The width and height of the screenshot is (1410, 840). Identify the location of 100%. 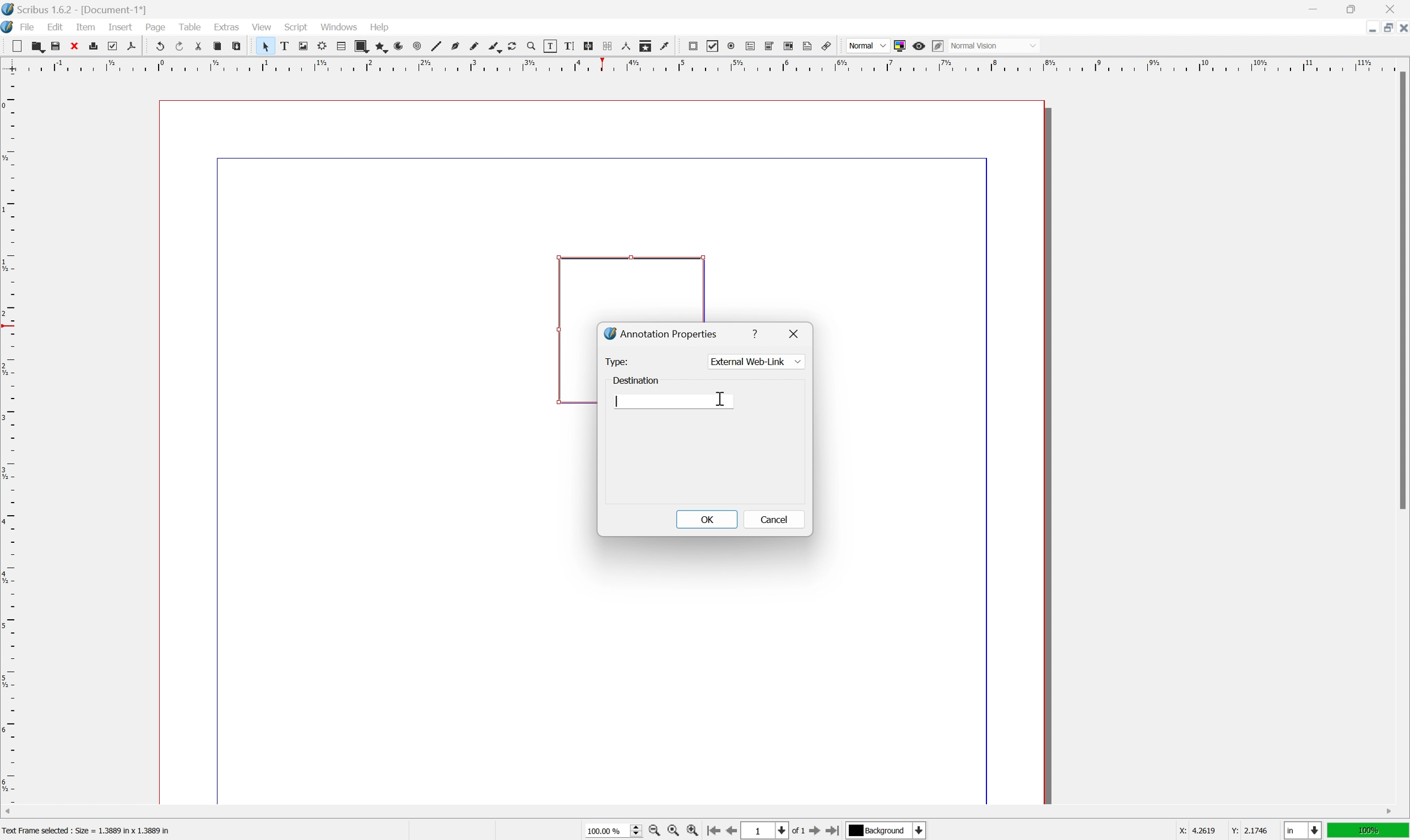
(1369, 831).